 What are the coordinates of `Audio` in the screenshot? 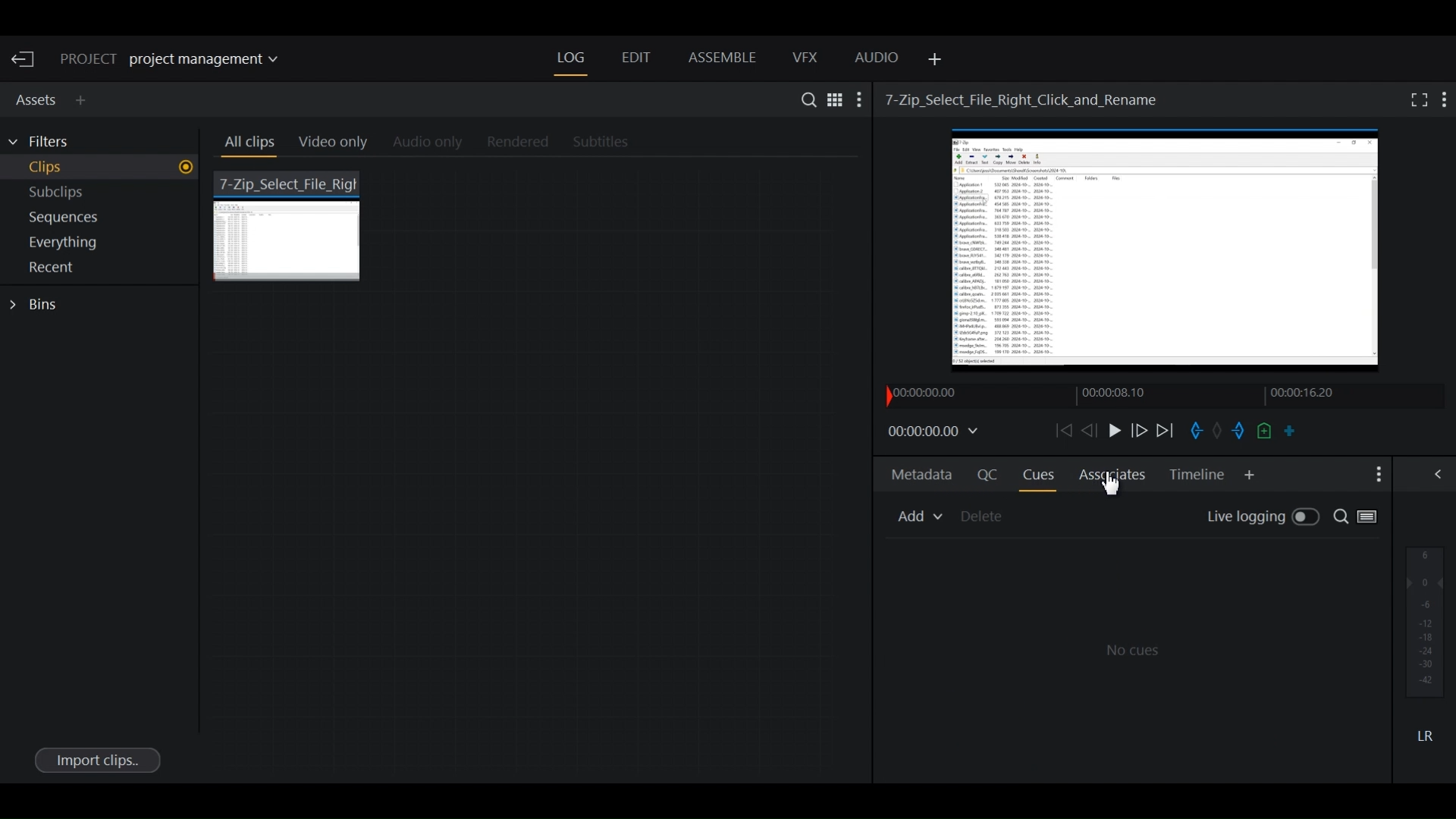 It's located at (877, 60).